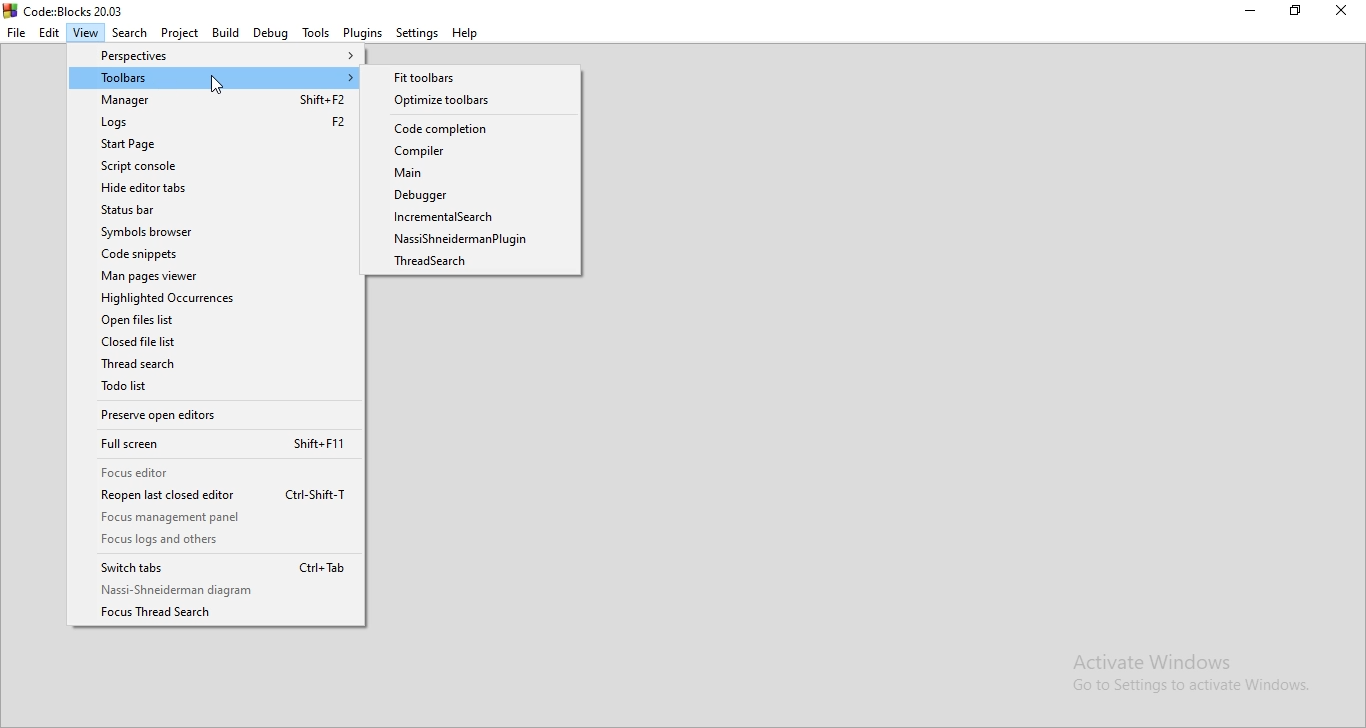 This screenshot has height=728, width=1366. Describe the element at coordinates (219, 447) in the screenshot. I see `Full screen` at that location.